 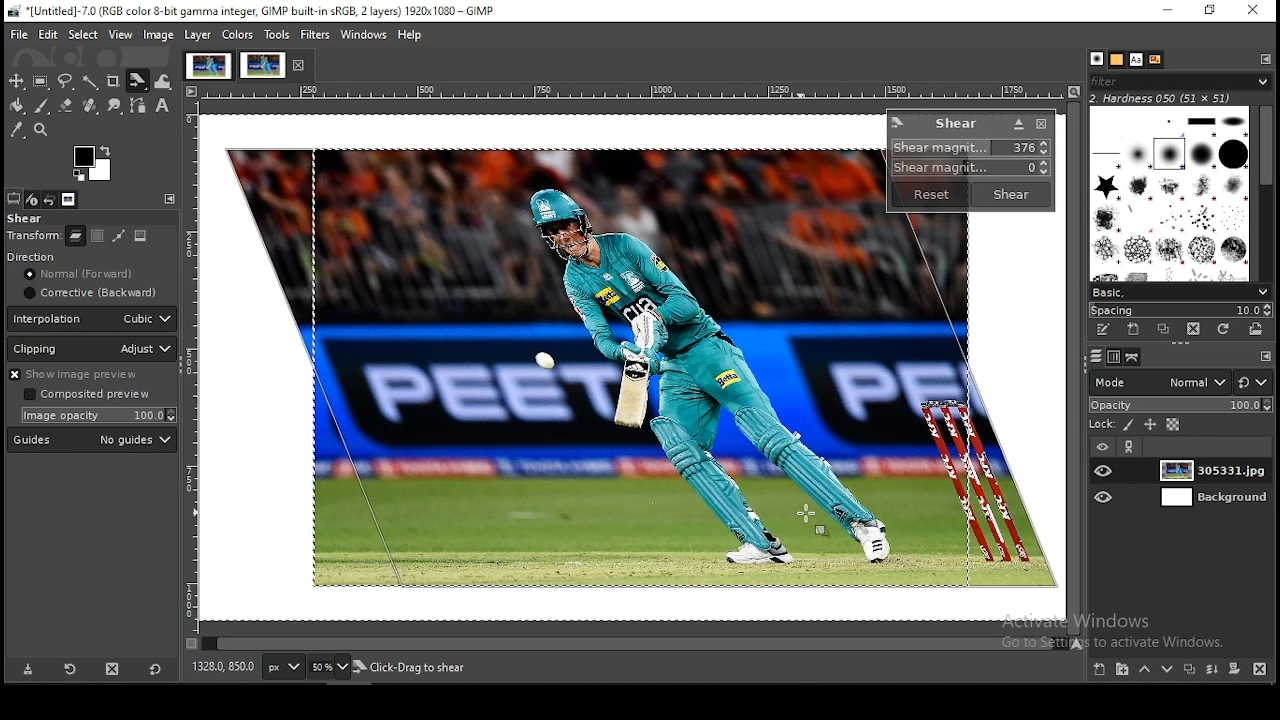 I want to click on shear tool, so click(x=138, y=80).